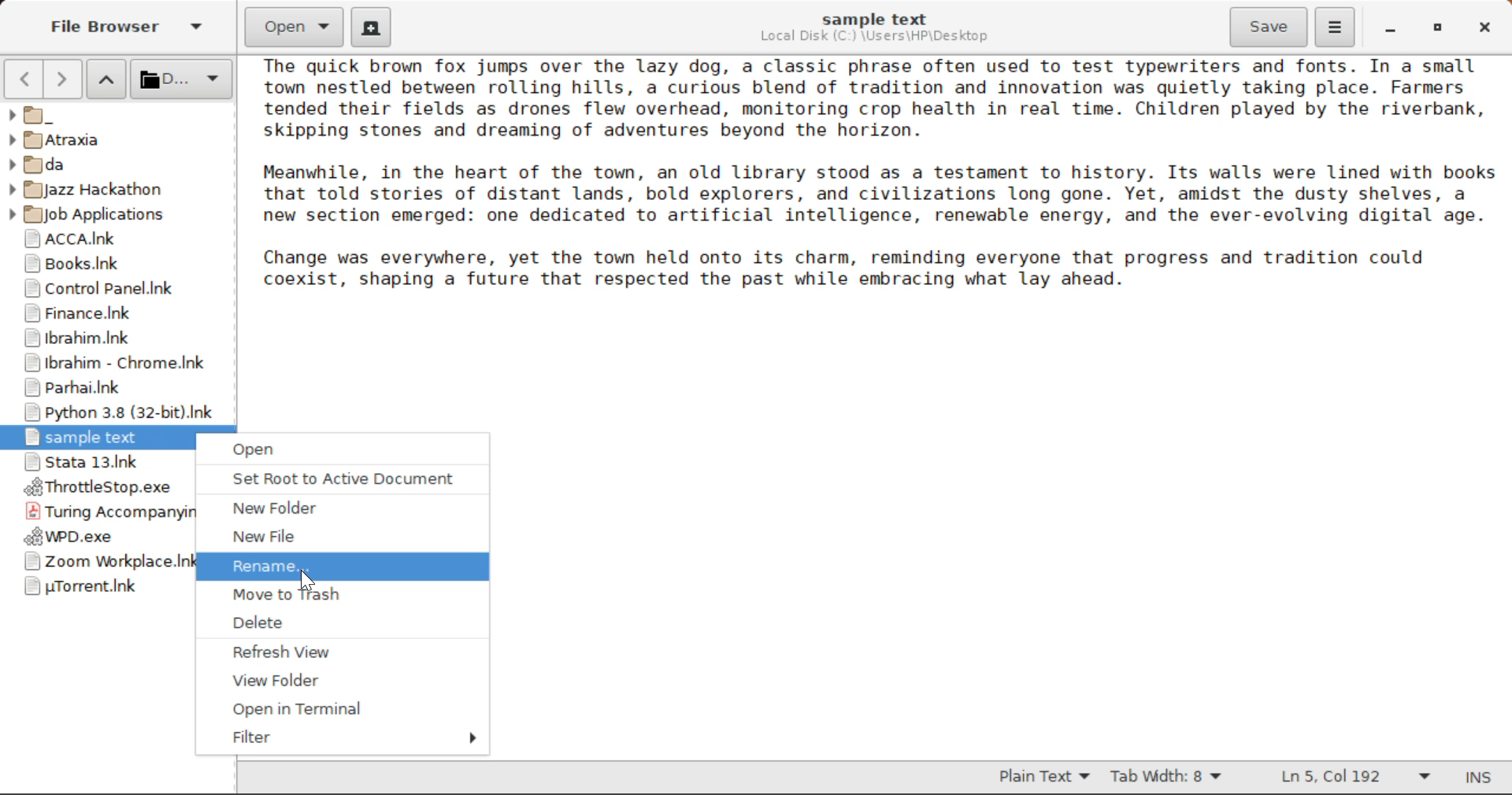 The image size is (1512, 795). I want to click on _ Folder, so click(115, 115).